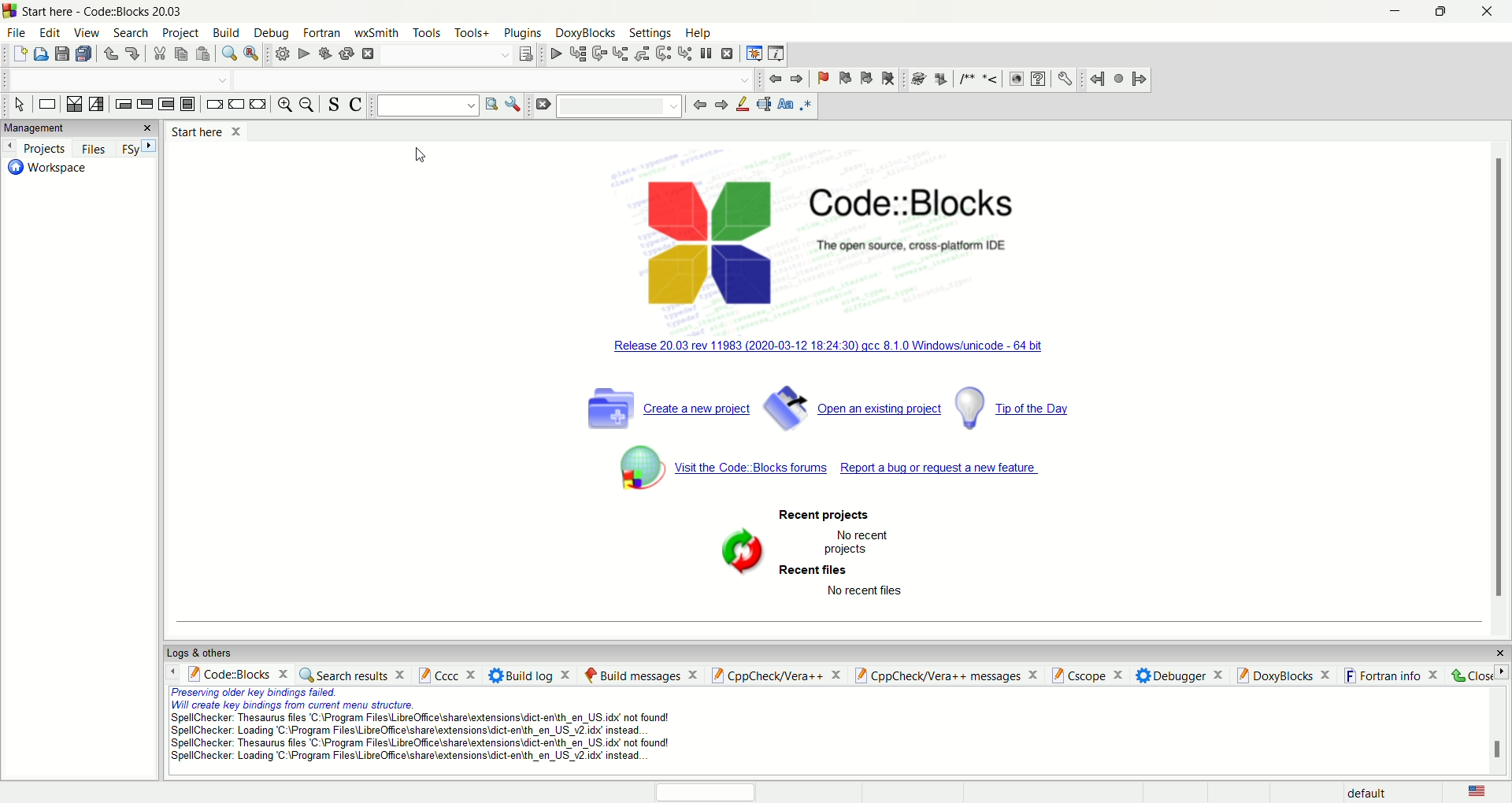  I want to click on forton info, so click(1393, 676).